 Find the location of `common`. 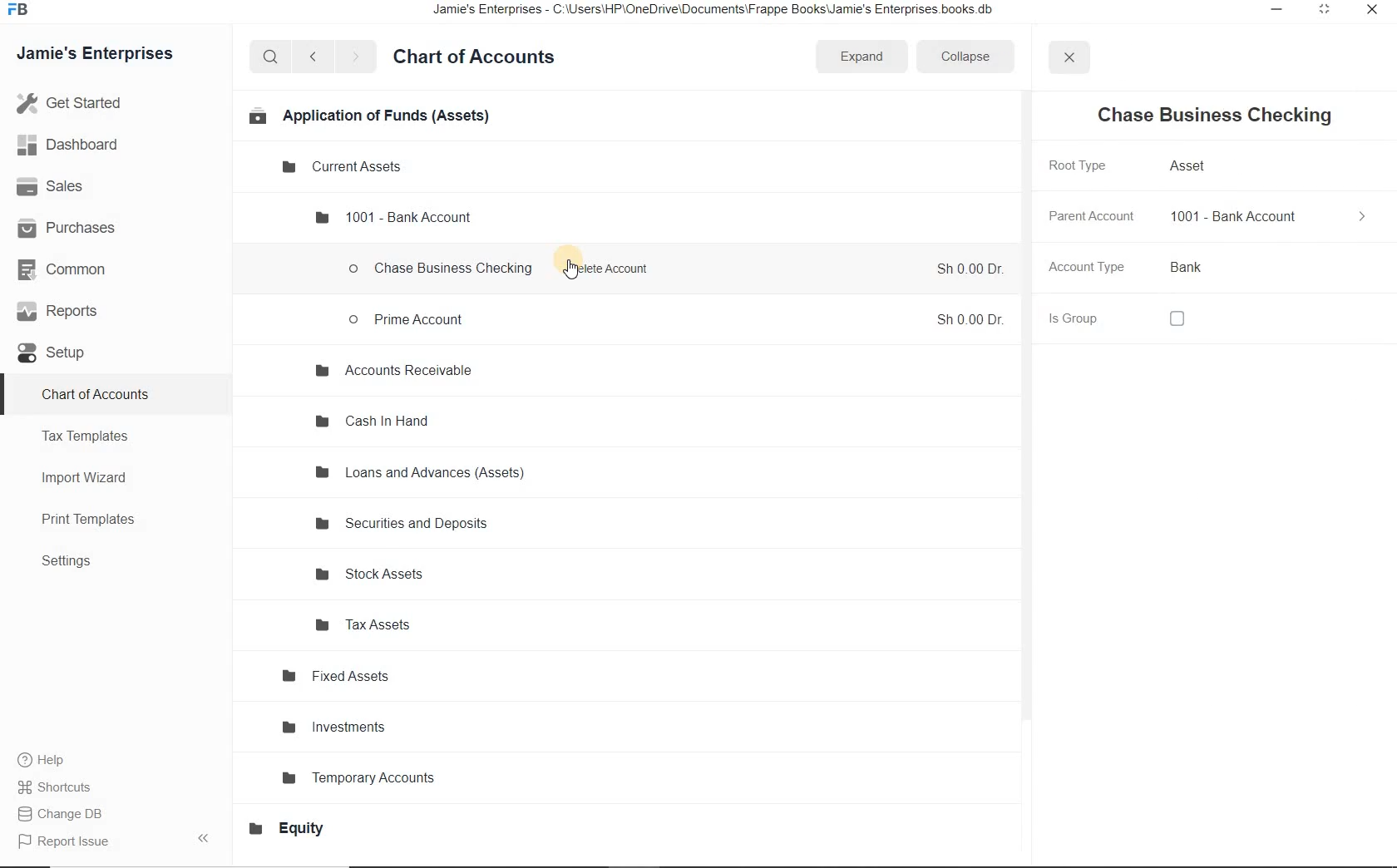

common is located at coordinates (77, 272).